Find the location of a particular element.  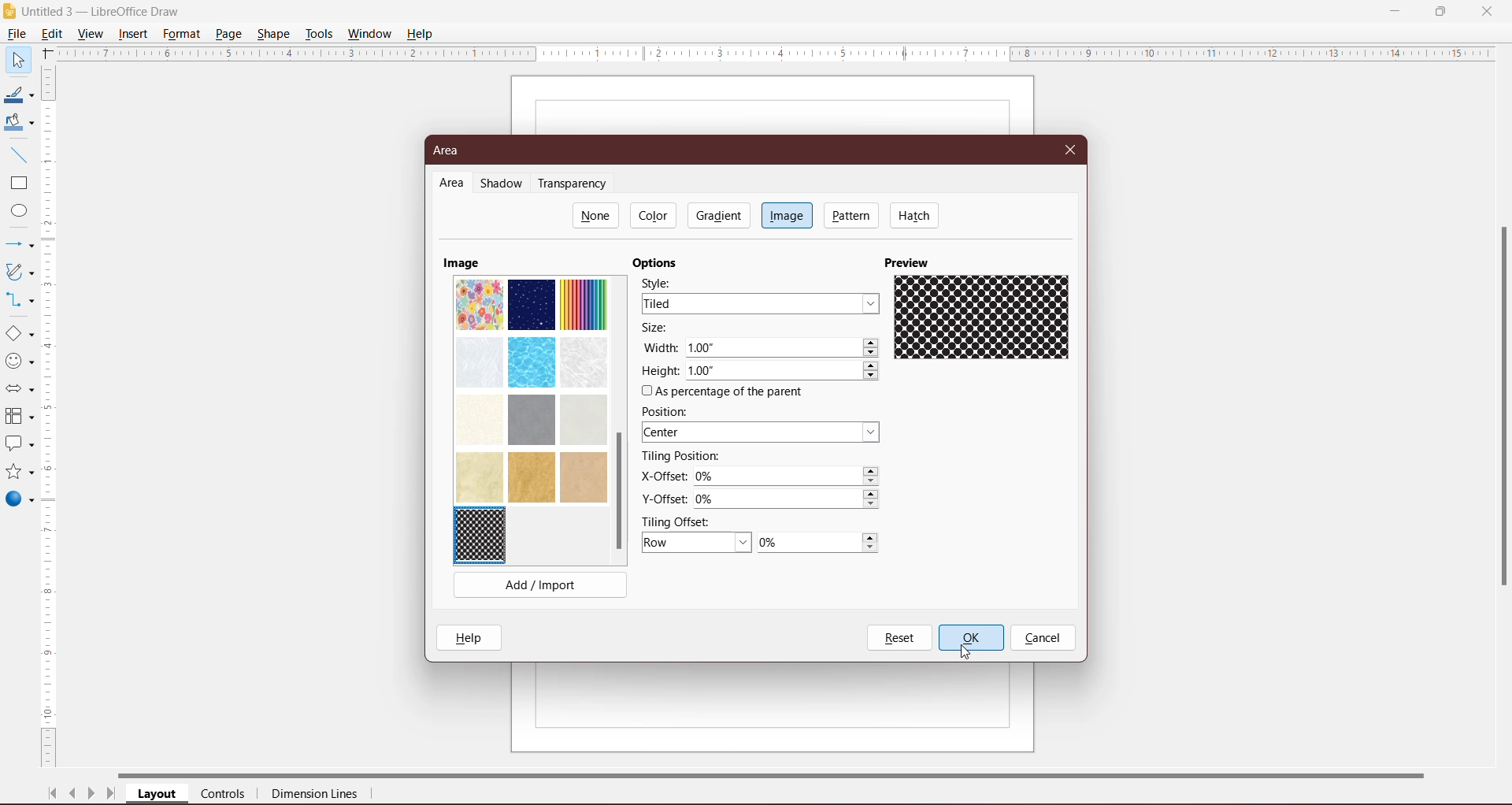

Select required style is located at coordinates (760, 303).